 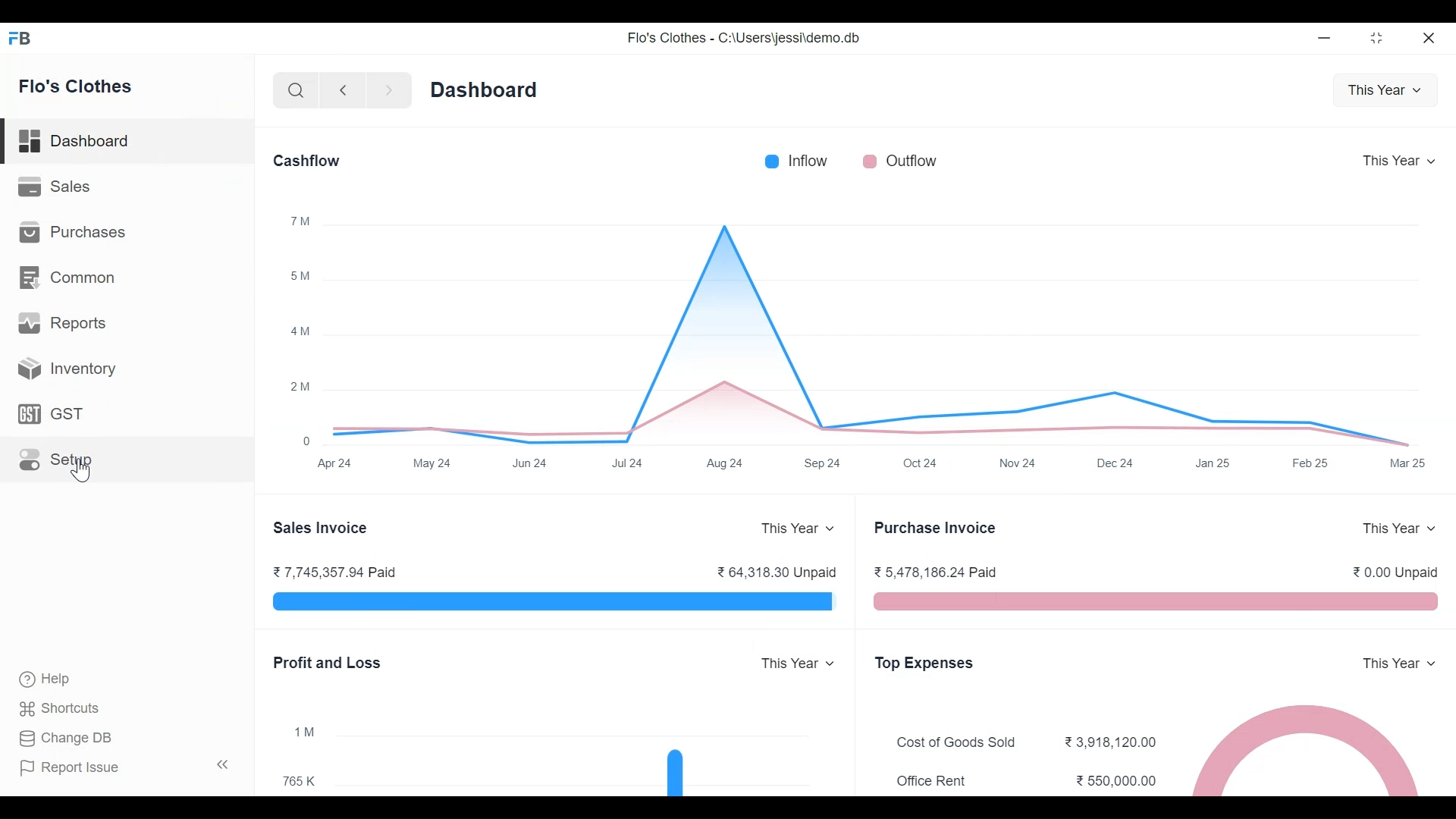 What do you see at coordinates (1382, 93) in the screenshot?
I see `This Year` at bounding box center [1382, 93].